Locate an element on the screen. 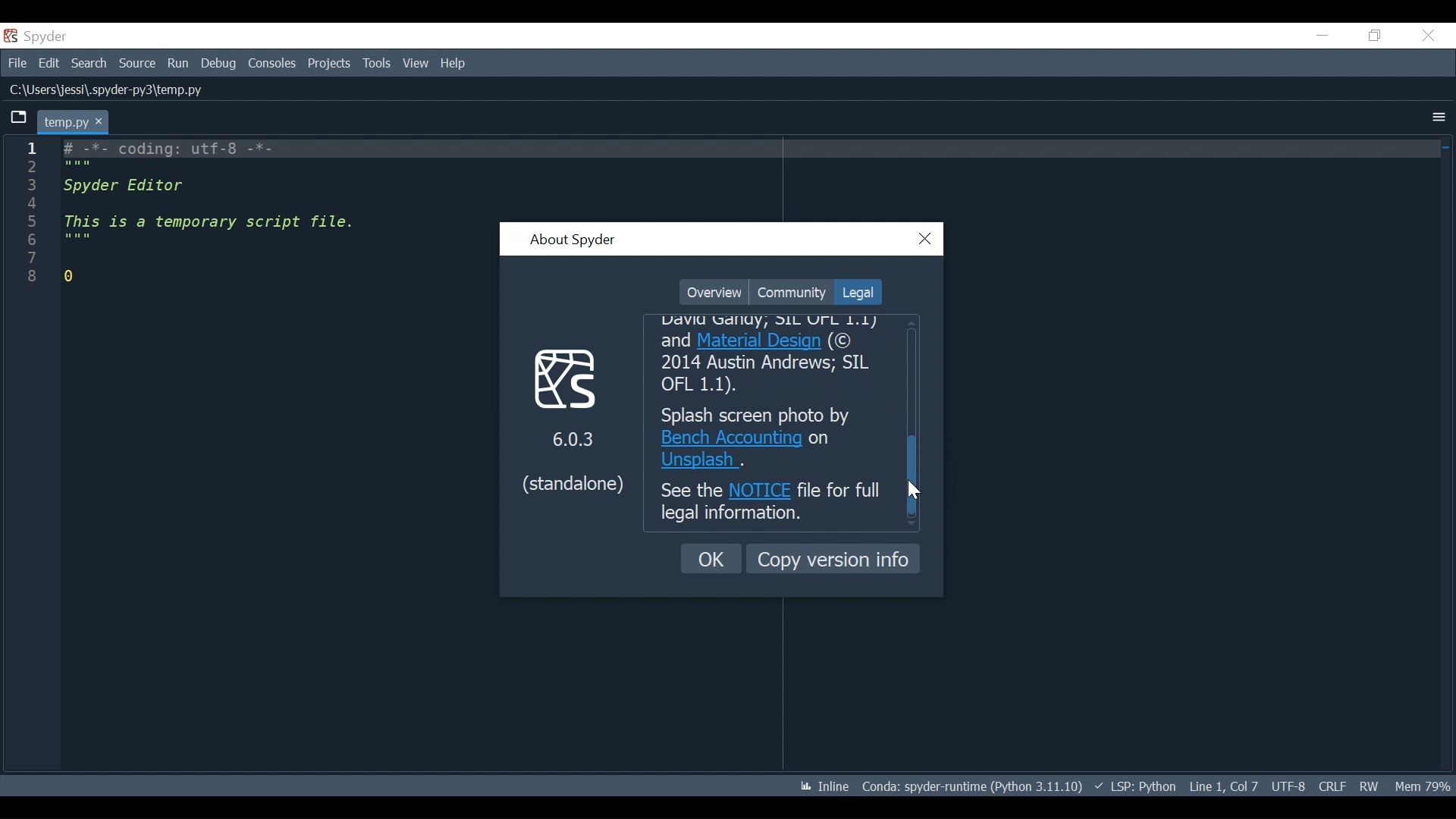 This screenshot has width=1456, height=819. CRLF is located at coordinates (1332, 786).